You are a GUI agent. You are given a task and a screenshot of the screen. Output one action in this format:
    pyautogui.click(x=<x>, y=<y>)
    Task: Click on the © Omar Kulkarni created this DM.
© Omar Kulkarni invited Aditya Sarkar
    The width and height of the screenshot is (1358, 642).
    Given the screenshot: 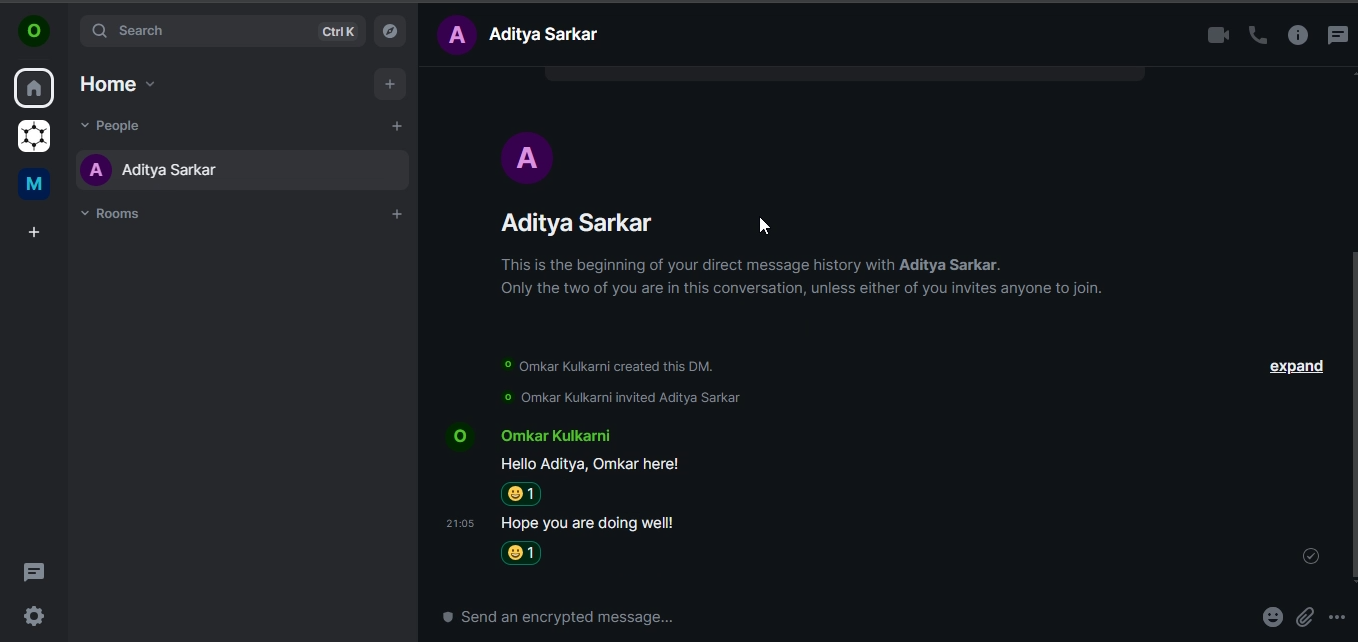 What is the action you would take?
    pyautogui.click(x=619, y=384)
    